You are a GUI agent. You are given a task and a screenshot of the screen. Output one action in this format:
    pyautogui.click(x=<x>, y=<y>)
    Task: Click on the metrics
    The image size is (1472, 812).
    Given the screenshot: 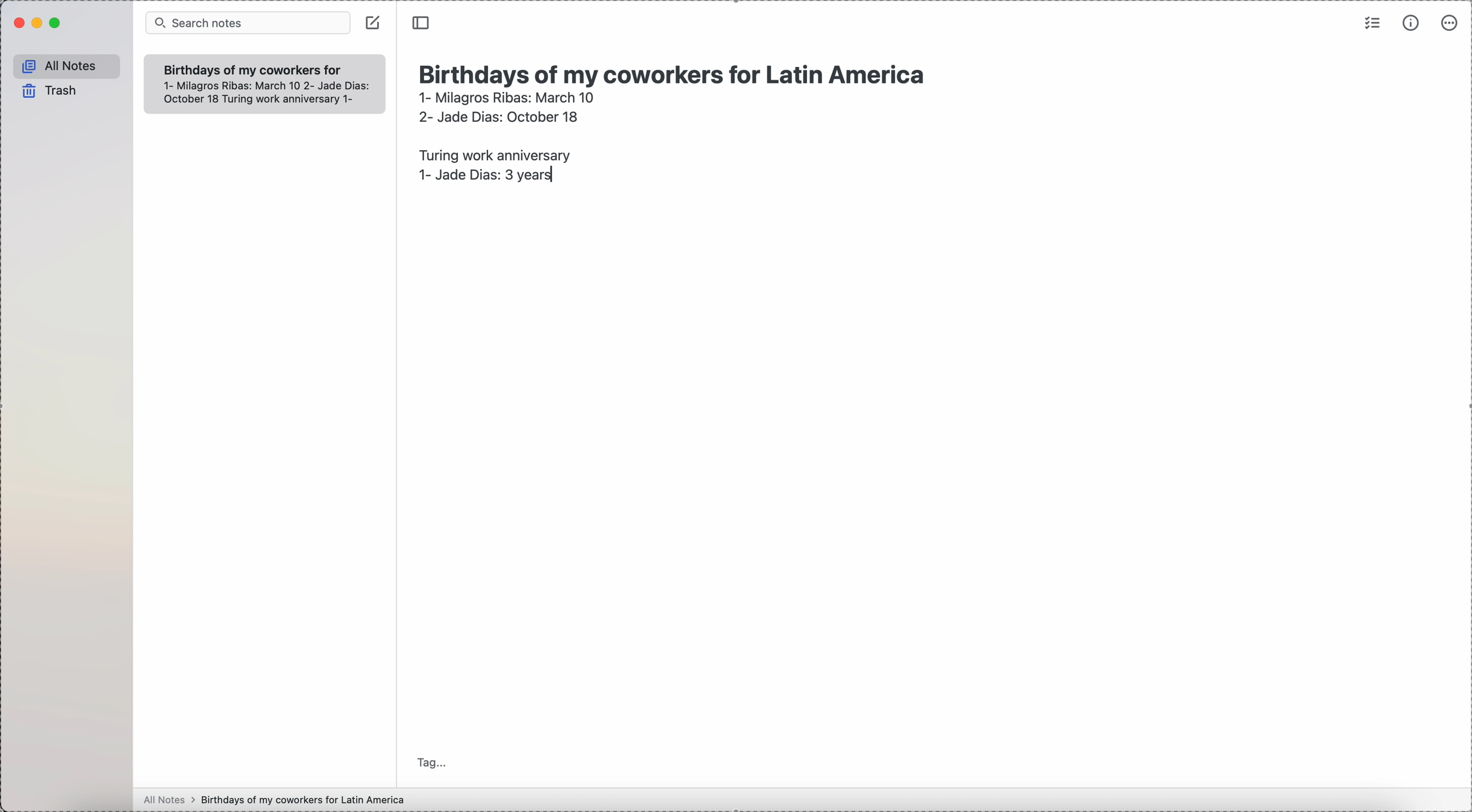 What is the action you would take?
    pyautogui.click(x=1413, y=22)
    